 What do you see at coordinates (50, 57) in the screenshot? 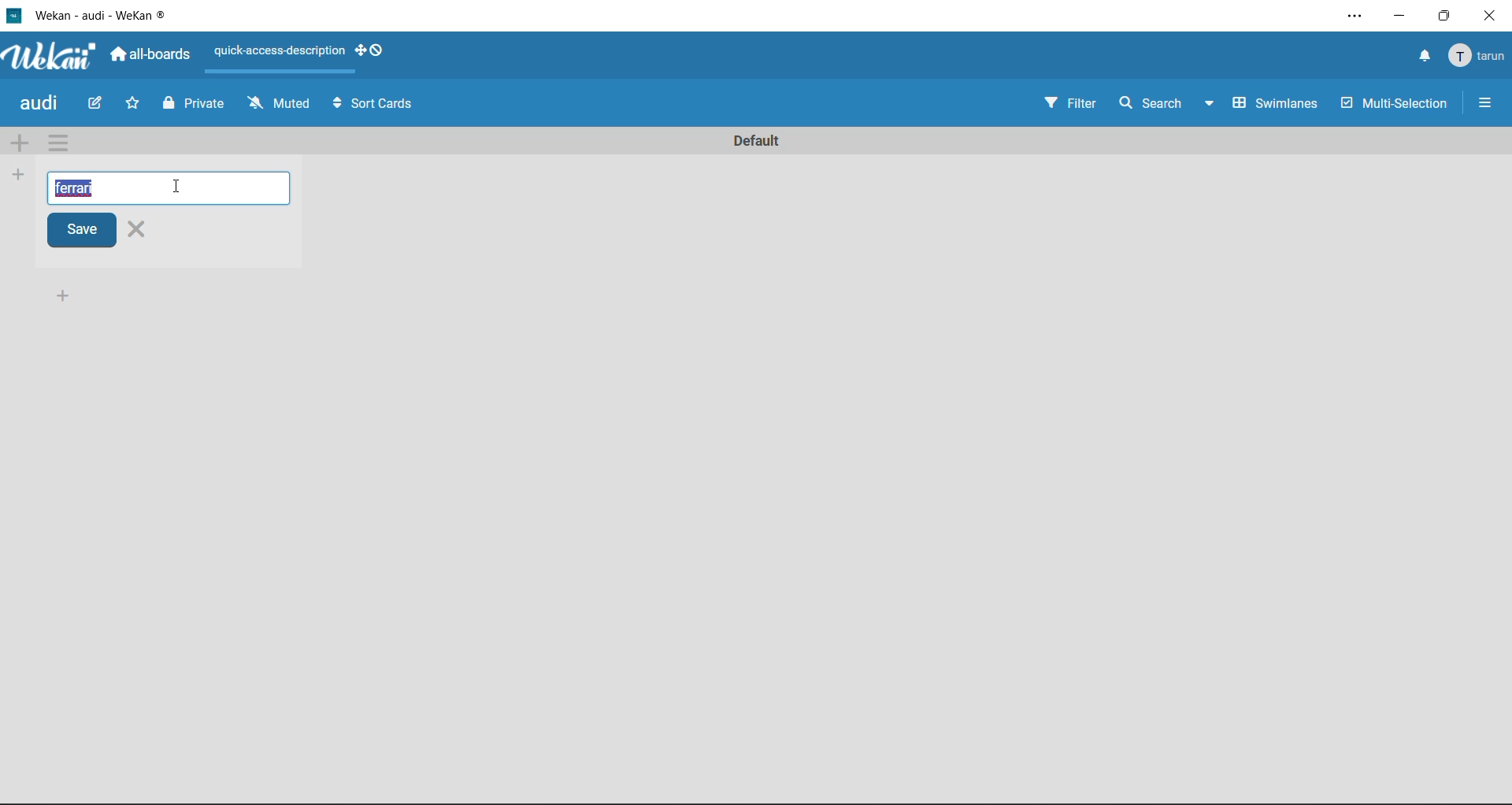
I see `` at bounding box center [50, 57].